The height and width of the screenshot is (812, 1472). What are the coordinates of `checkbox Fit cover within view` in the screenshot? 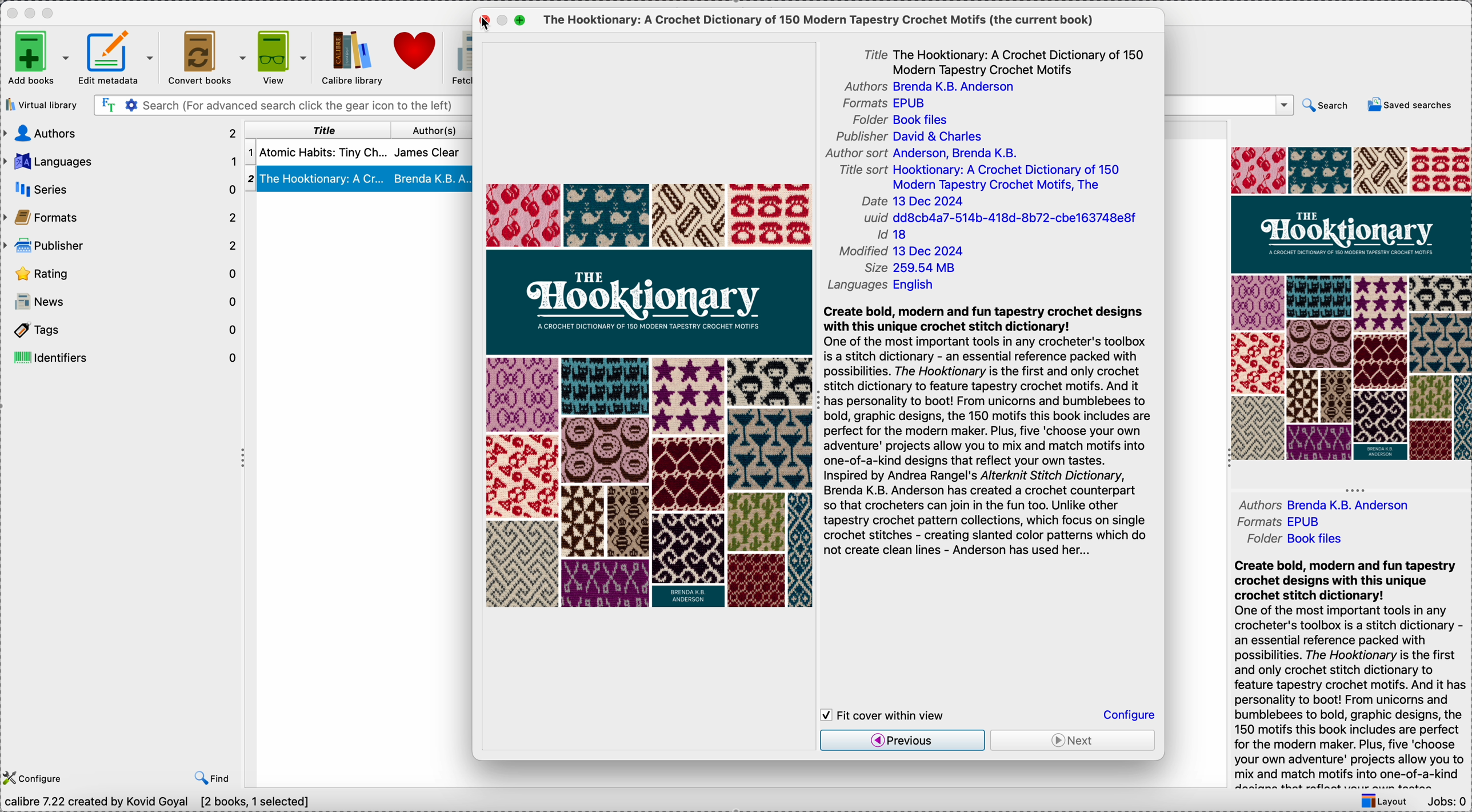 It's located at (887, 715).